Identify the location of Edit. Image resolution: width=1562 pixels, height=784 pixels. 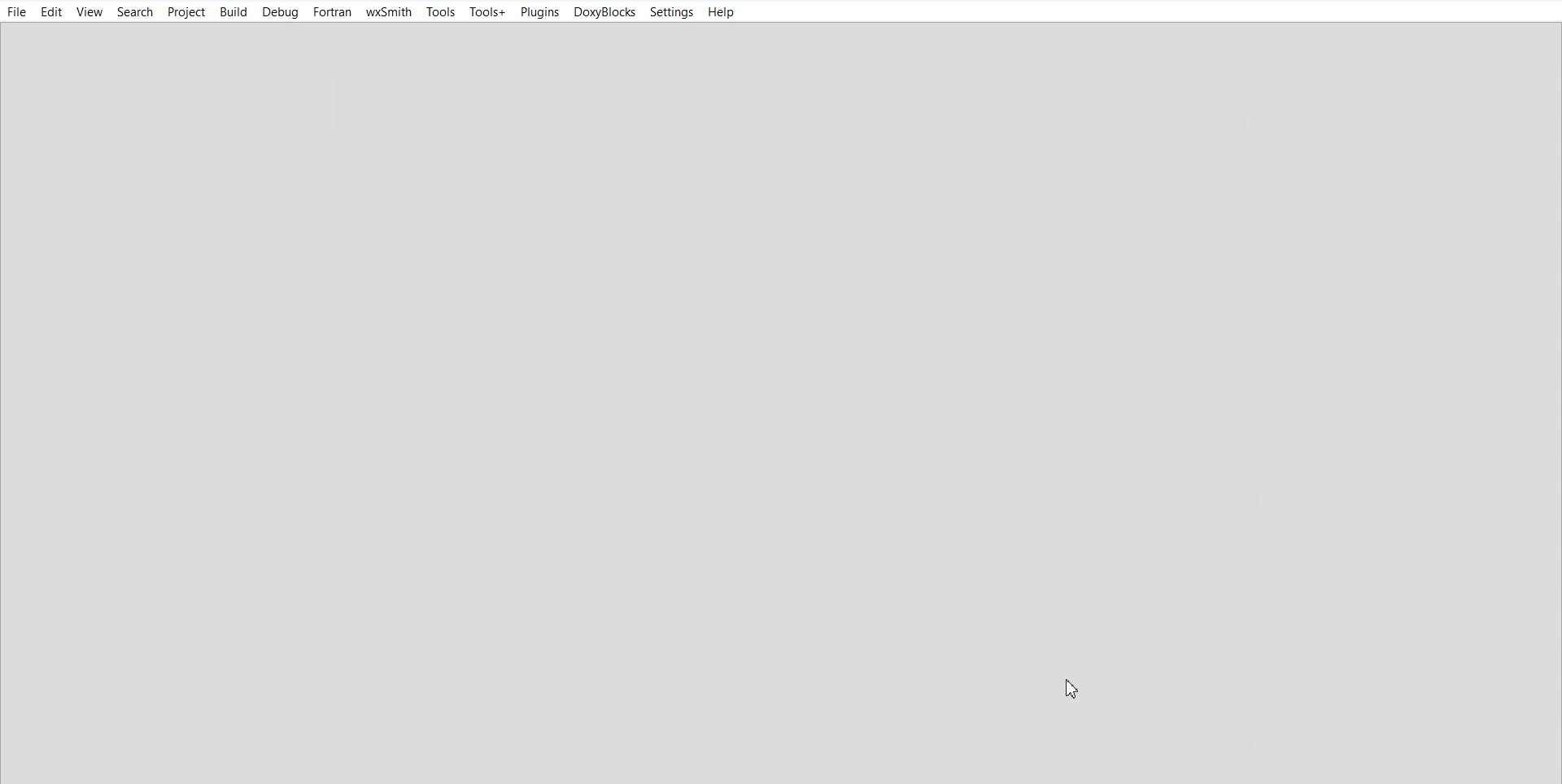
(51, 13).